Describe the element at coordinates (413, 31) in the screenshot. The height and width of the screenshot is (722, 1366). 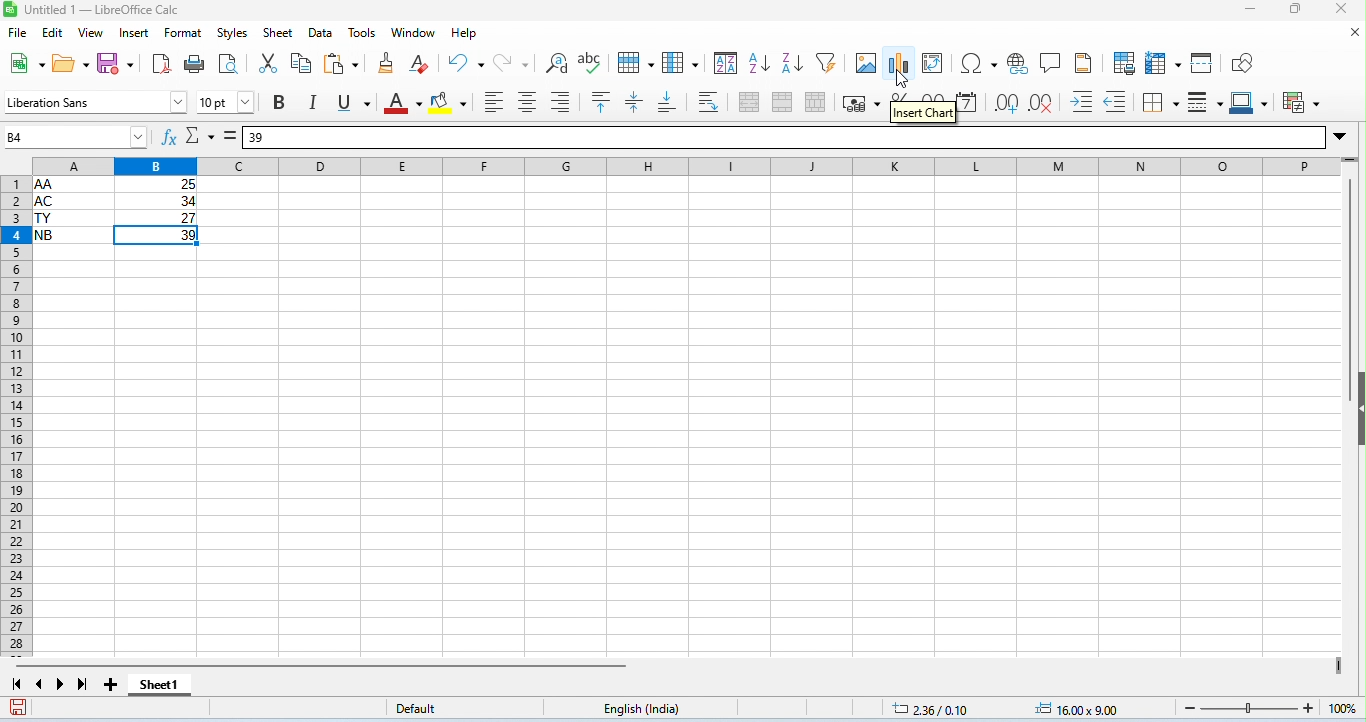
I see `window` at that location.